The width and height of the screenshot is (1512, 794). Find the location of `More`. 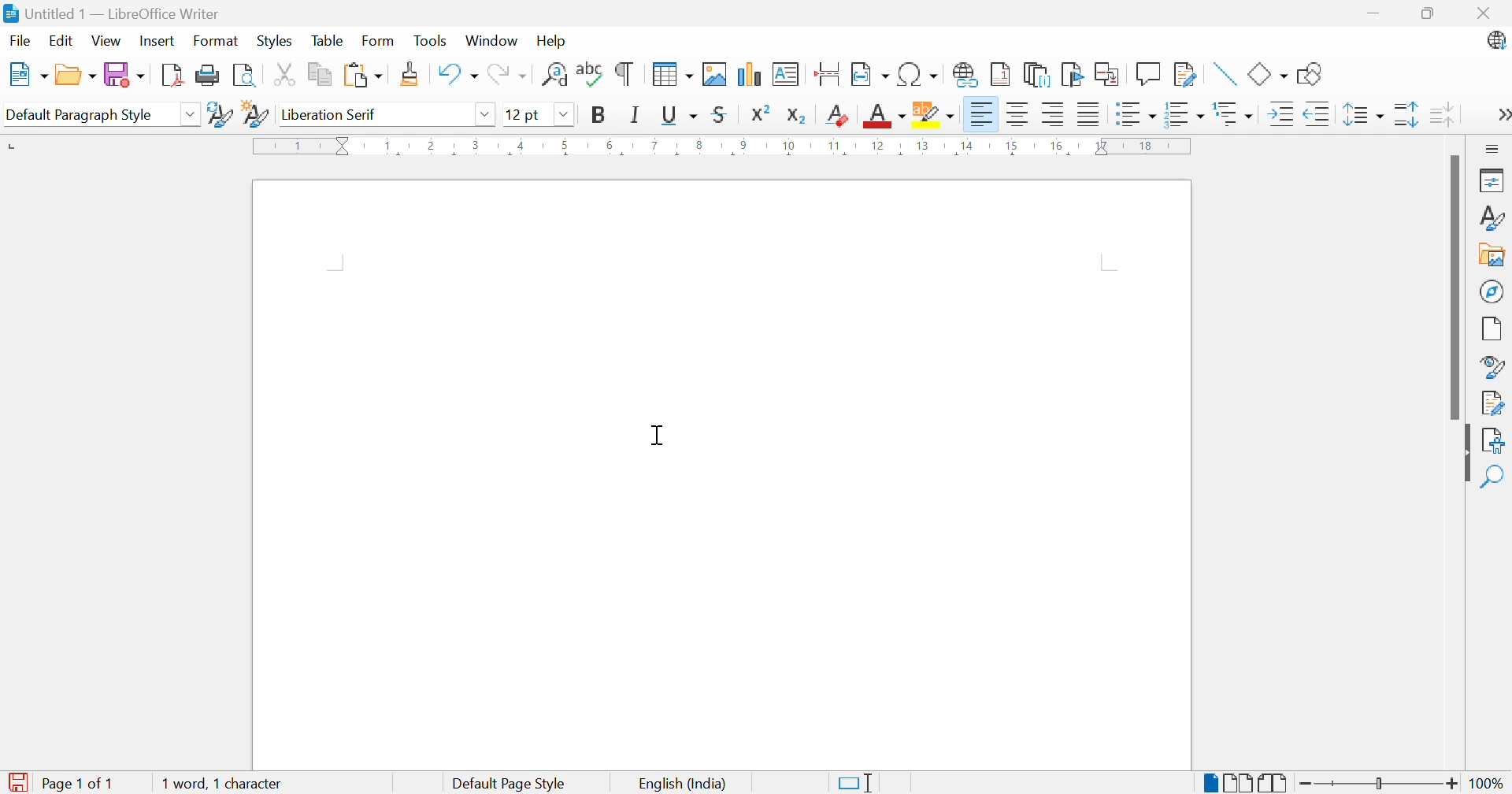

More is located at coordinates (1503, 117).